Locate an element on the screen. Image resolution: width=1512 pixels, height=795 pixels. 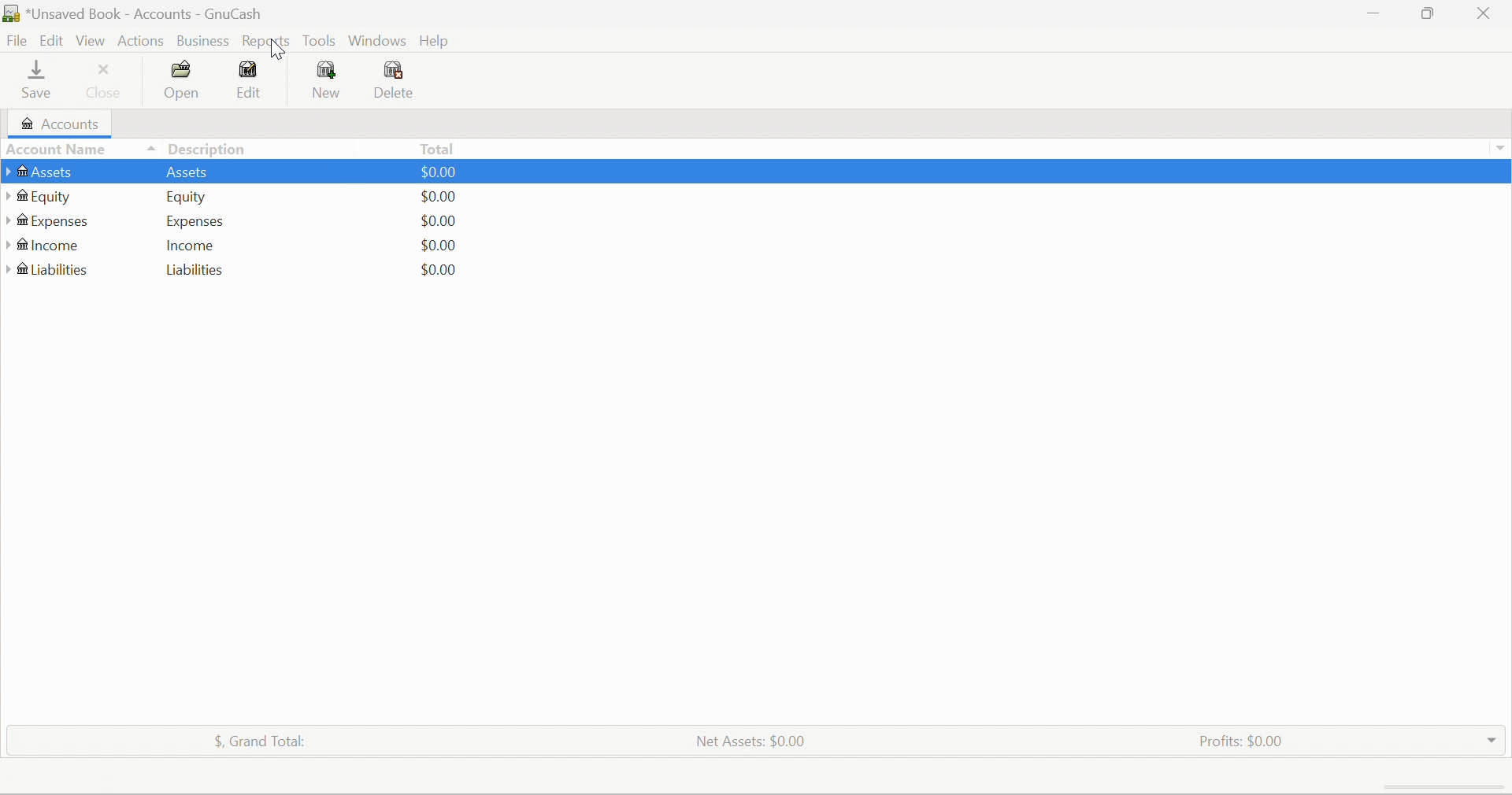
Account Name is located at coordinates (57, 149).